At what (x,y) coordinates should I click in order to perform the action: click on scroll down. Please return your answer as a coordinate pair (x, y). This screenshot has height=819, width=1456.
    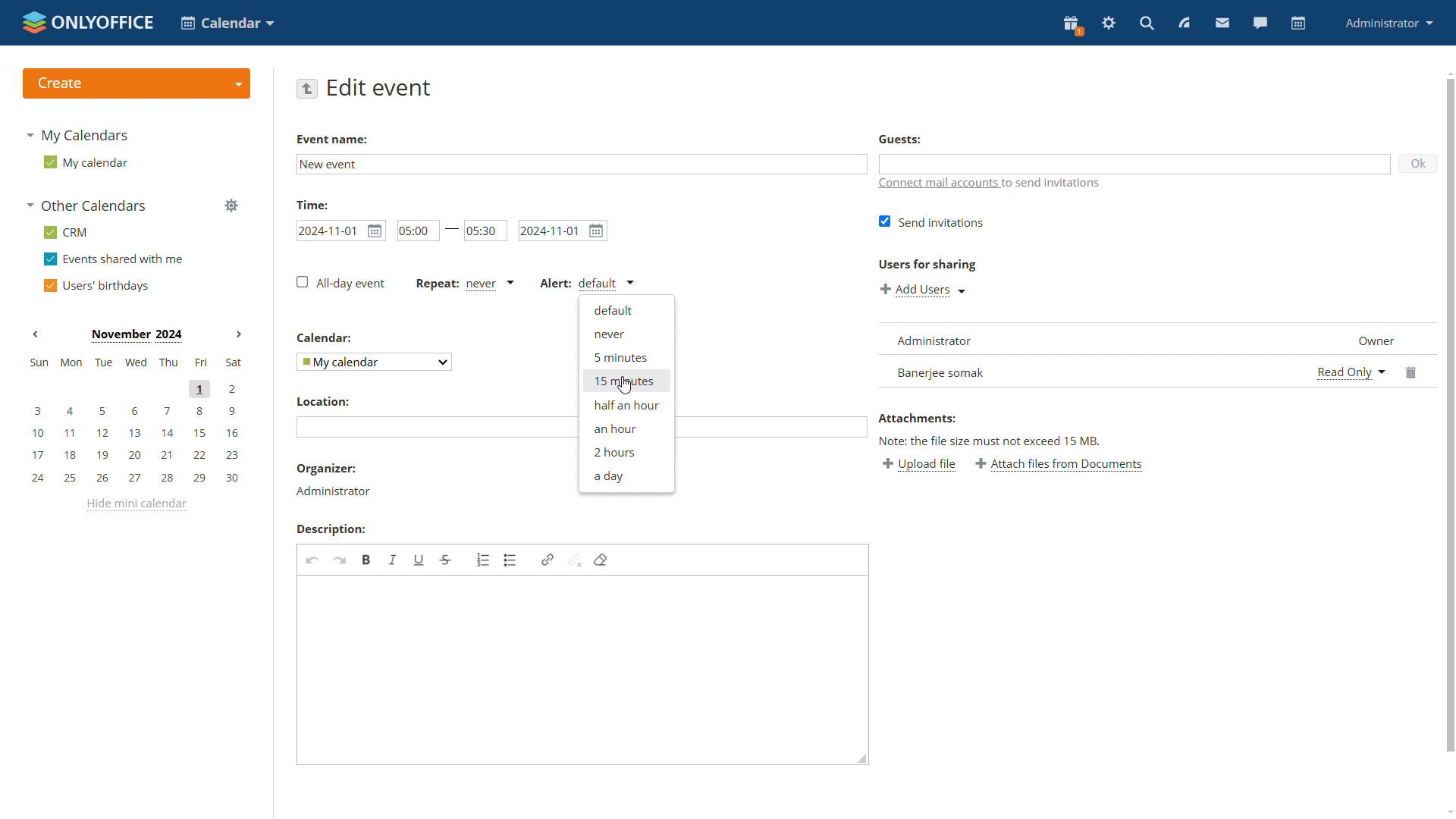
    Looking at the image, I should click on (1447, 810).